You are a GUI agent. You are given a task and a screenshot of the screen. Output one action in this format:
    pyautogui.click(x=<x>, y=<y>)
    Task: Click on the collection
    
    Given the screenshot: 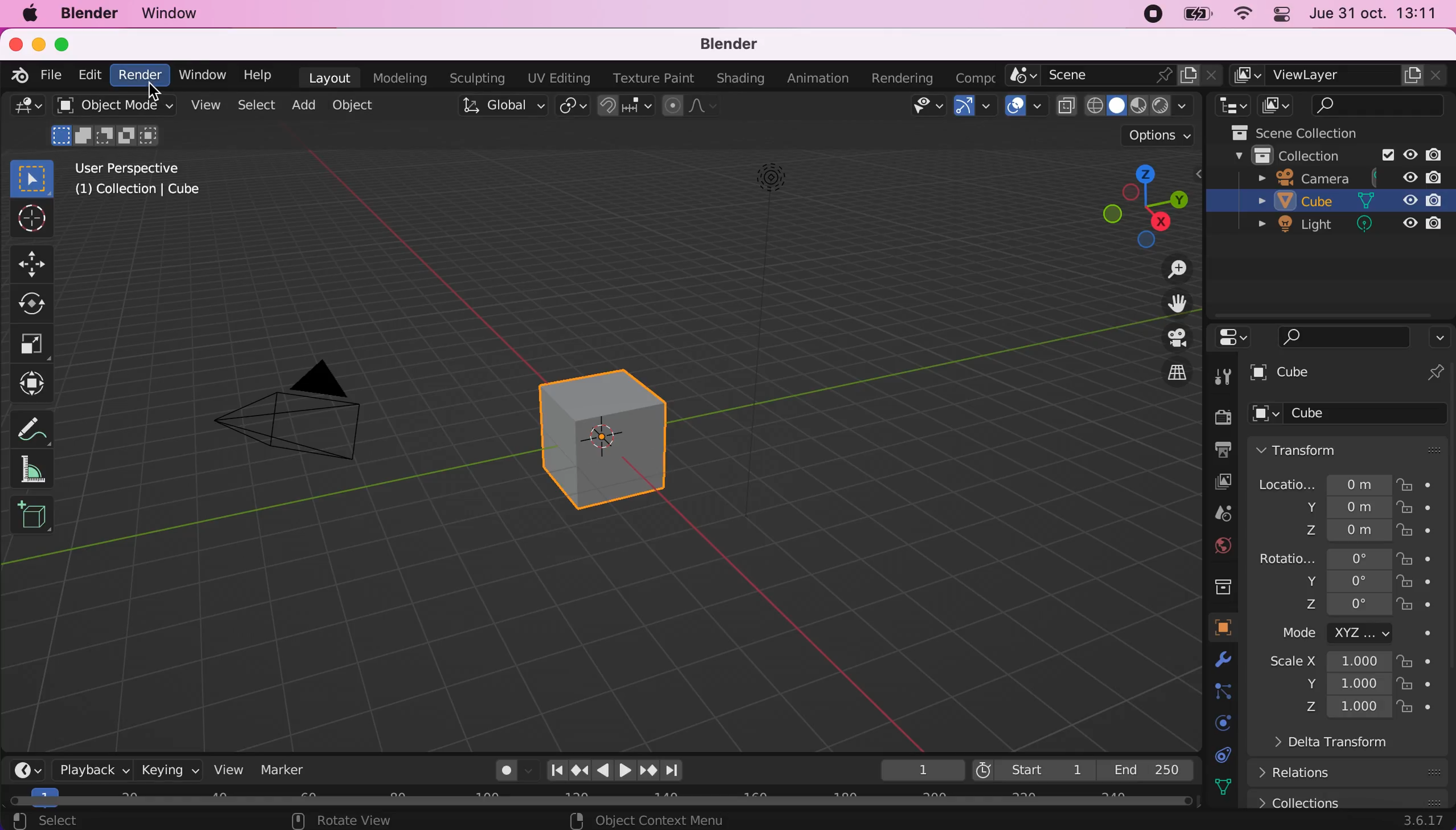 What is the action you would take?
    pyautogui.click(x=1222, y=585)
    